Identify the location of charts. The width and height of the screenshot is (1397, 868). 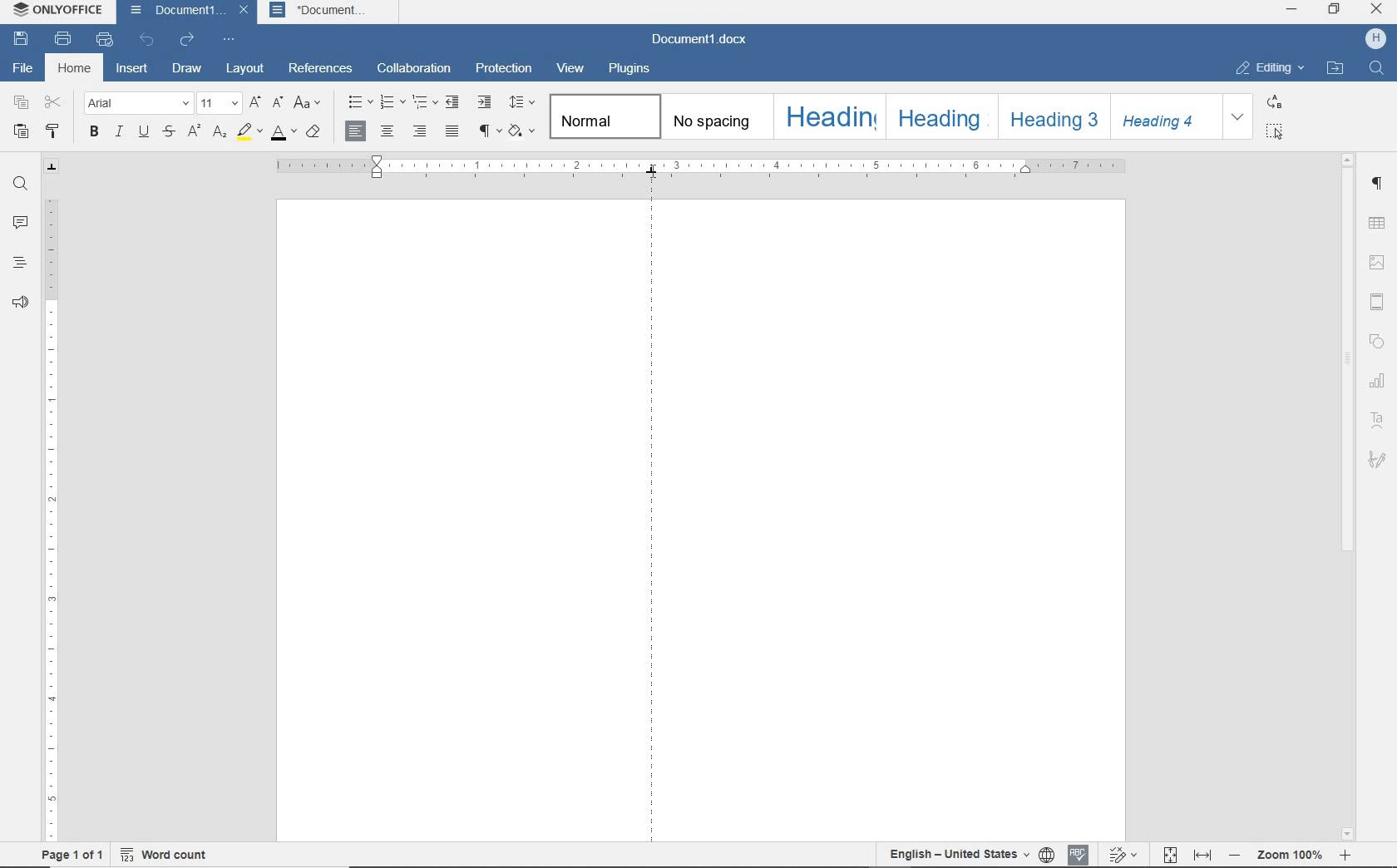
(1380, 382).